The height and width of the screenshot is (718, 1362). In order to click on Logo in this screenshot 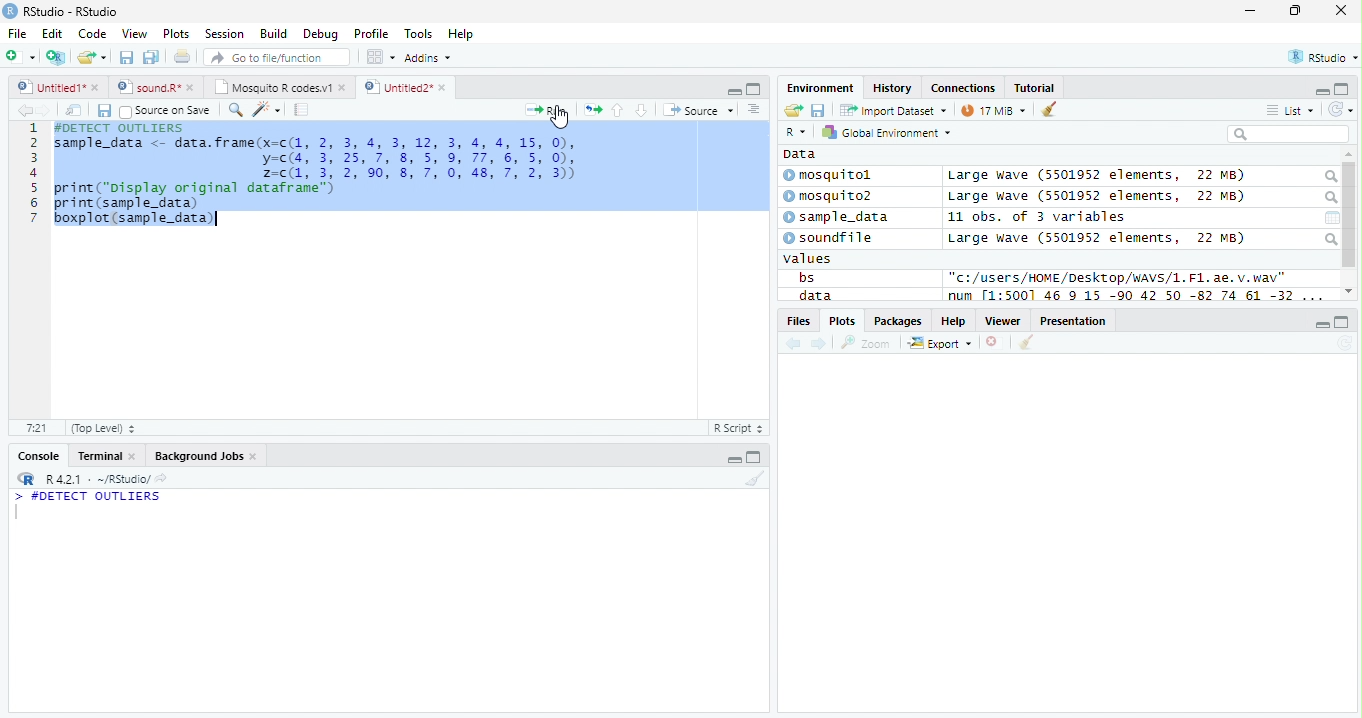, I will do `click(11, 11)`.